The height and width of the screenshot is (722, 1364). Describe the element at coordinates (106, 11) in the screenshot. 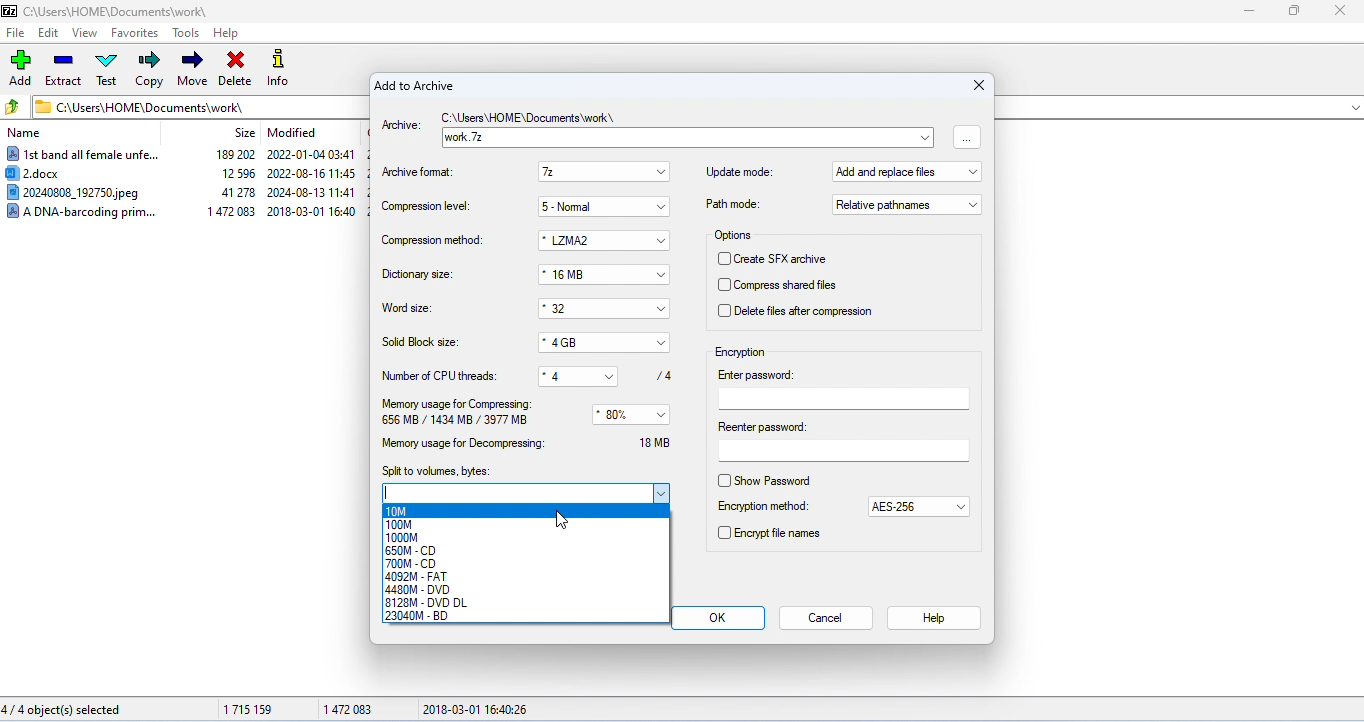

I see `CAUsers\HOME\Documents\work\` at that location.